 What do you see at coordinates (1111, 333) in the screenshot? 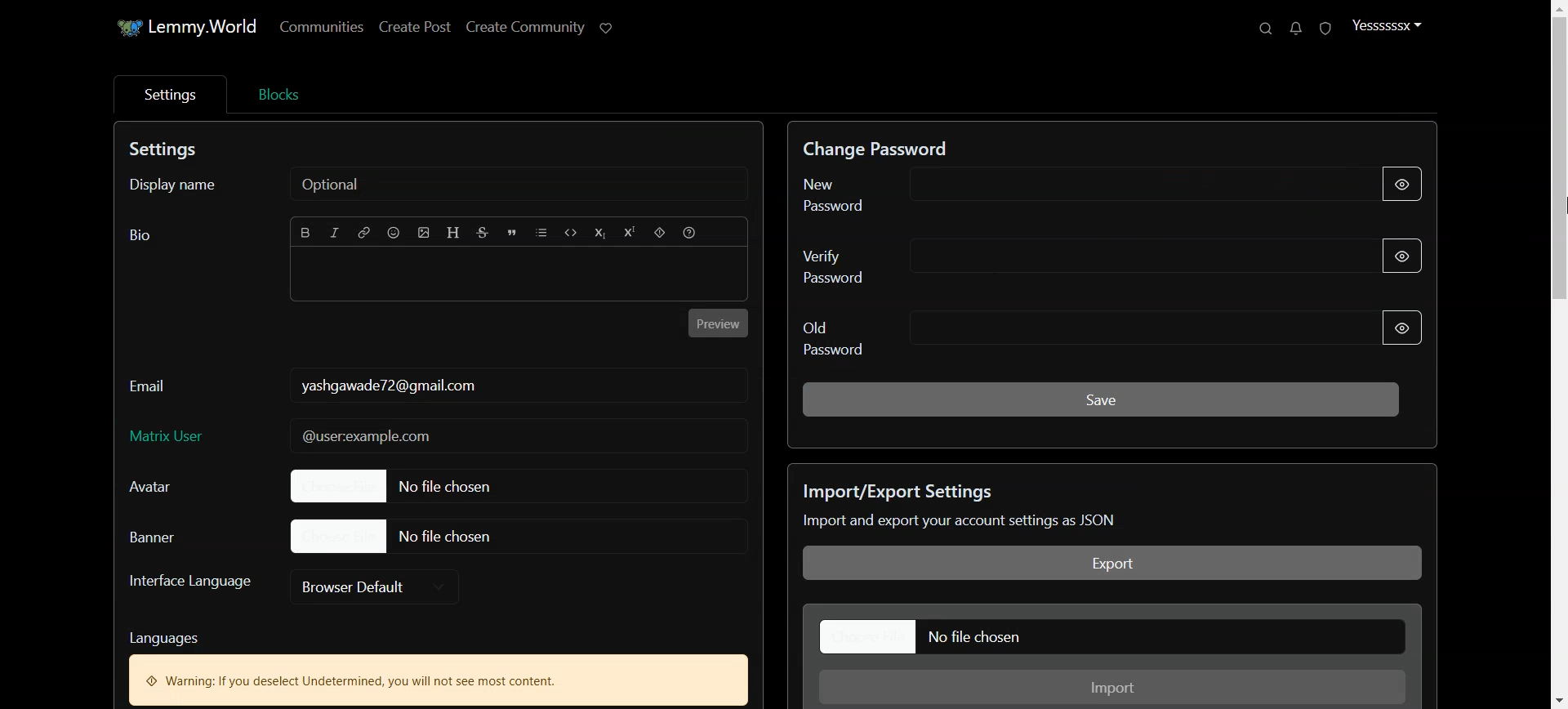
I see `Old Password` at bounding box center [1111, 333].